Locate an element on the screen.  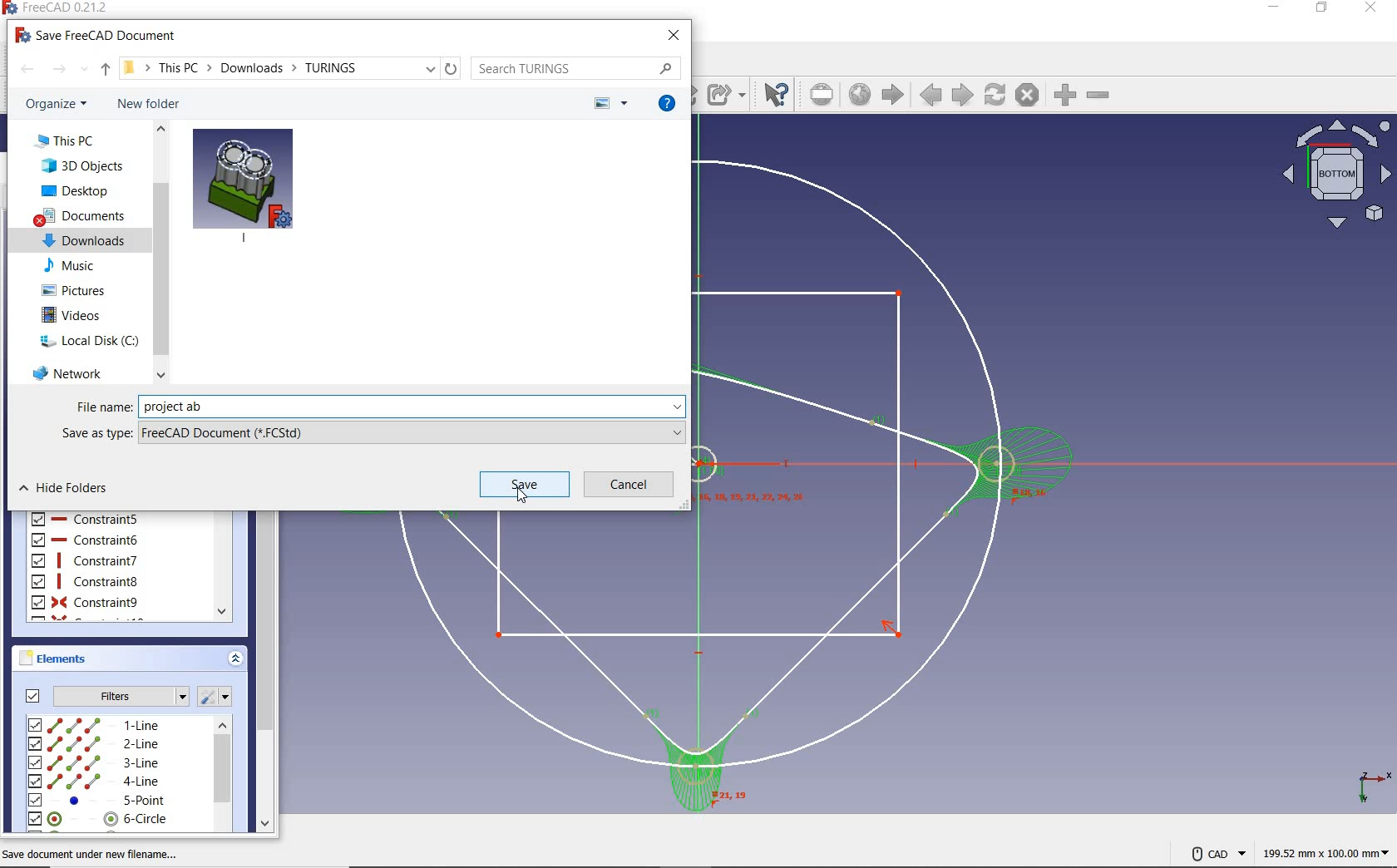
refresh "downloads" is located at coordinates (452, 68).